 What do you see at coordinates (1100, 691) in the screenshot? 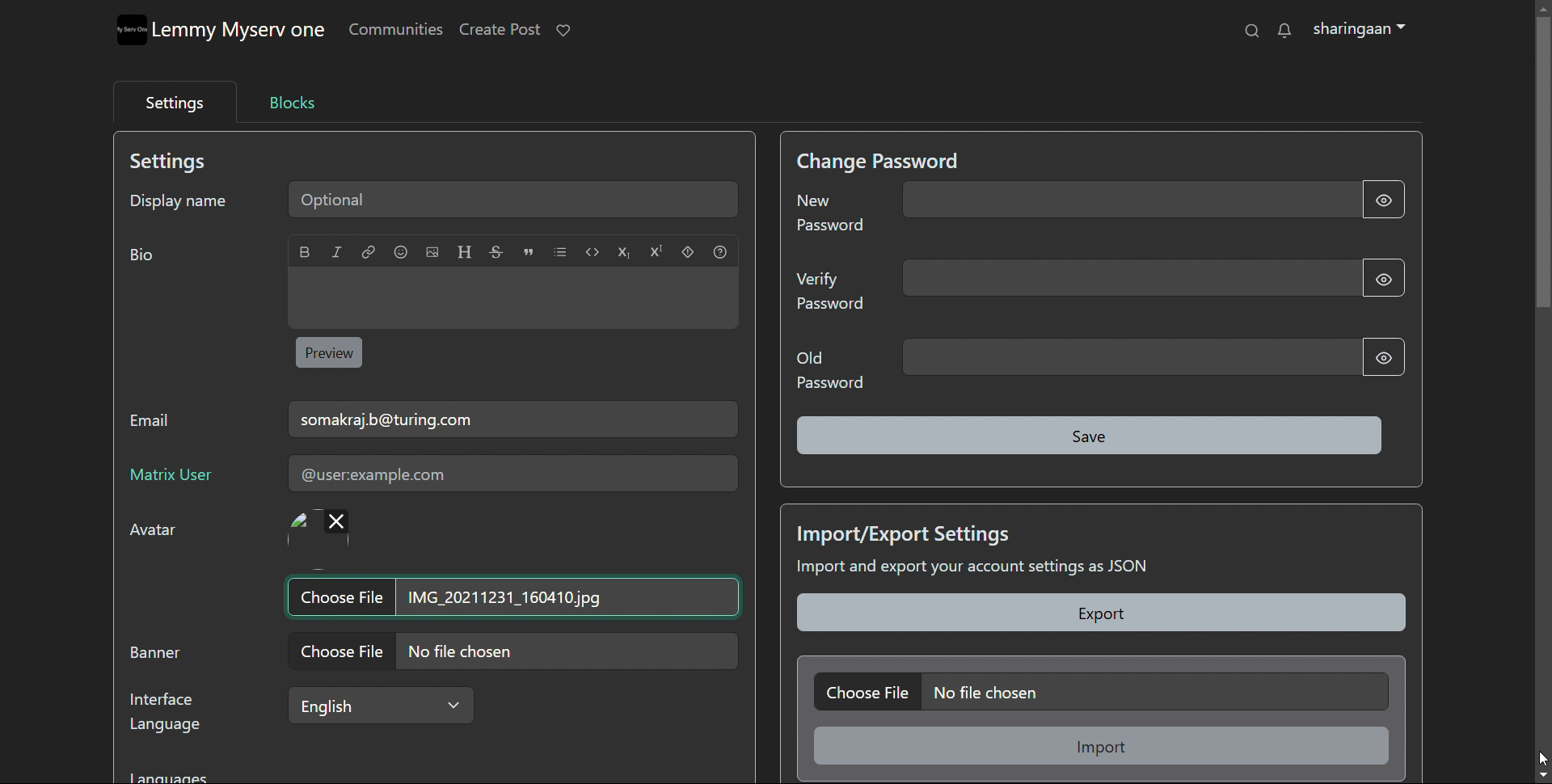
I see `choose file to import` at bounding box center [1100, 691].